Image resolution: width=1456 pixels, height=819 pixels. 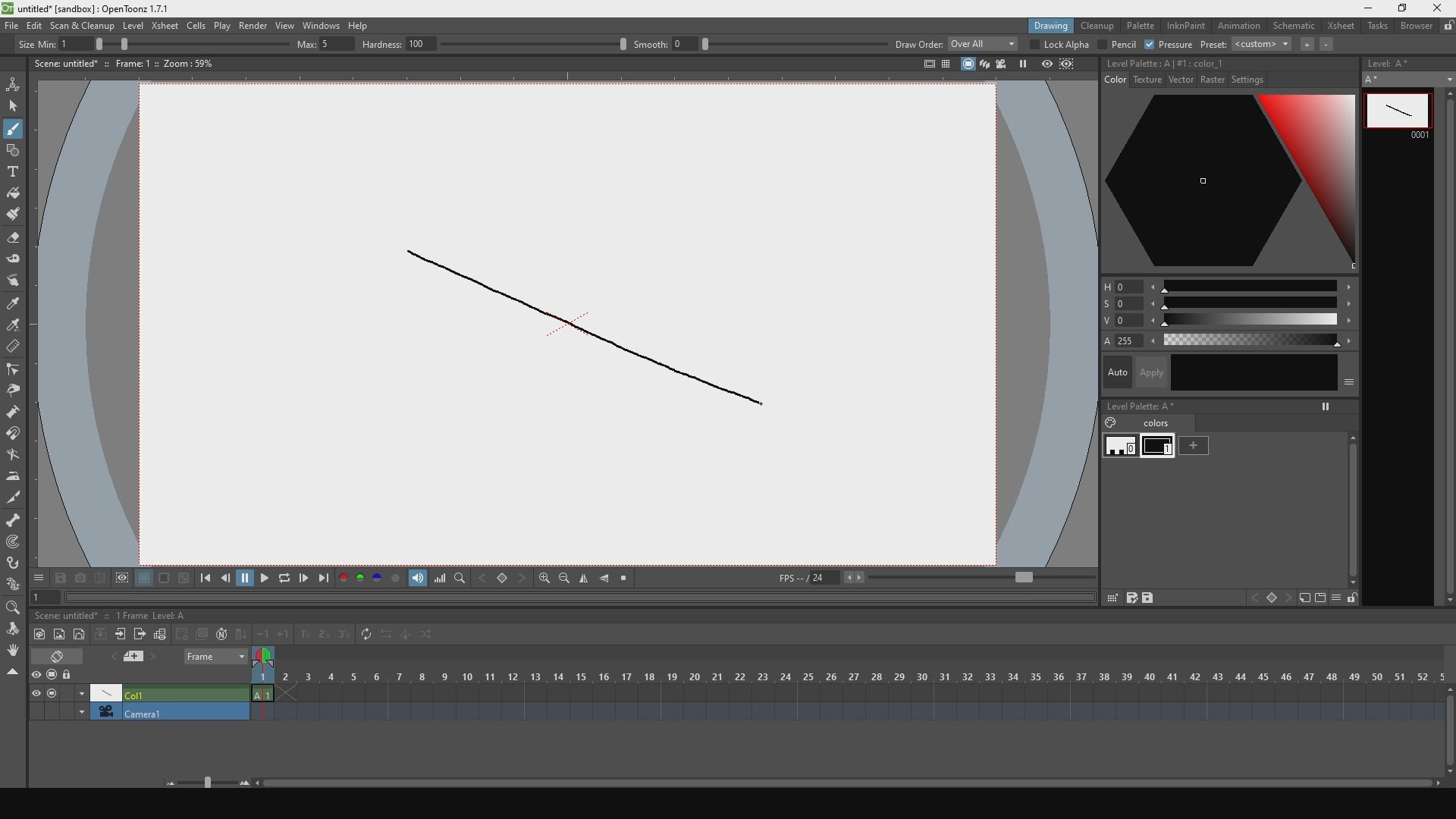 I want to click on horizontal slider, so click(x=808, y=782).